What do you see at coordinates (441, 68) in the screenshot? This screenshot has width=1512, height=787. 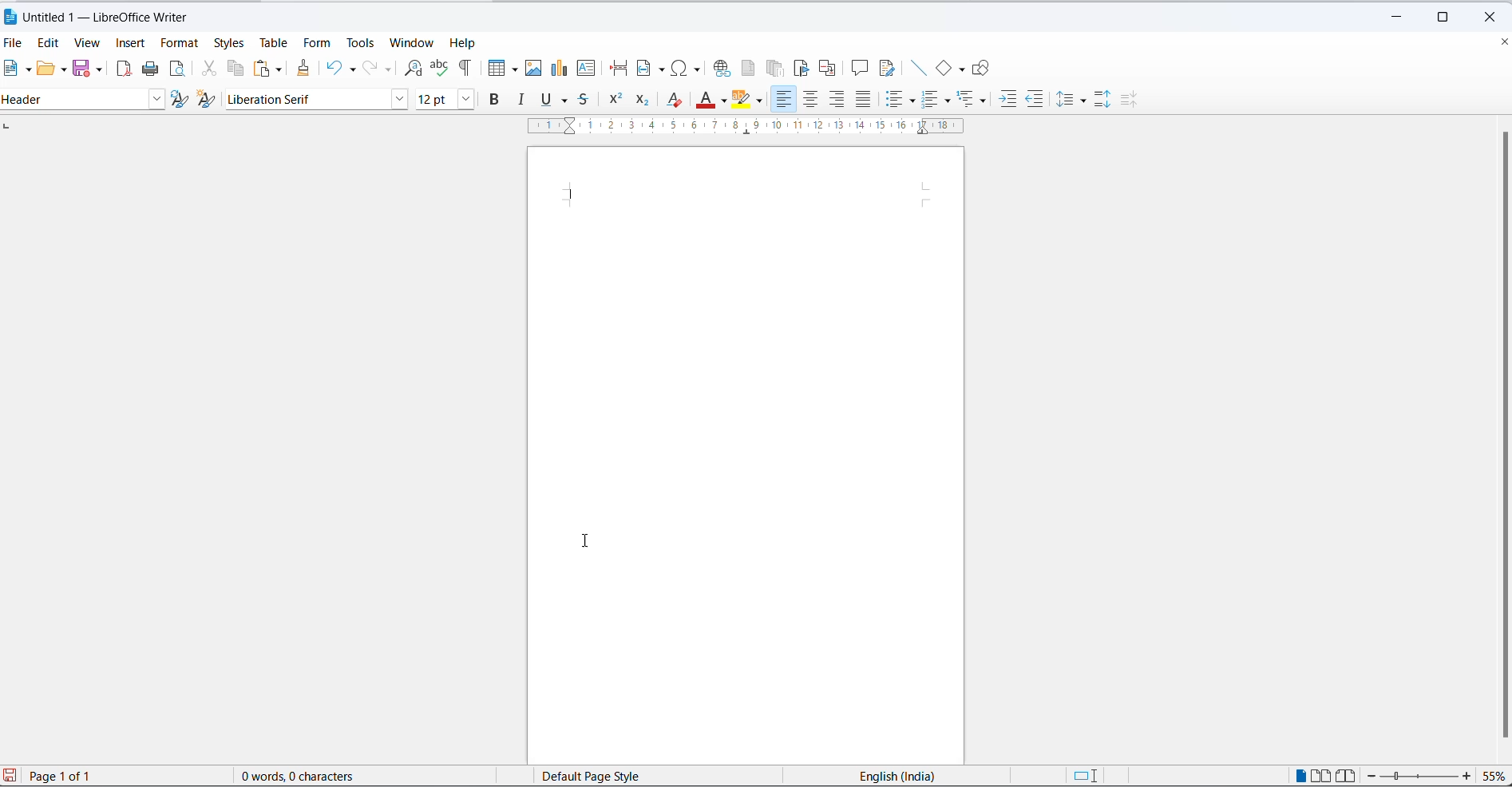 I see `spelling` at bounding box center [441, 68].